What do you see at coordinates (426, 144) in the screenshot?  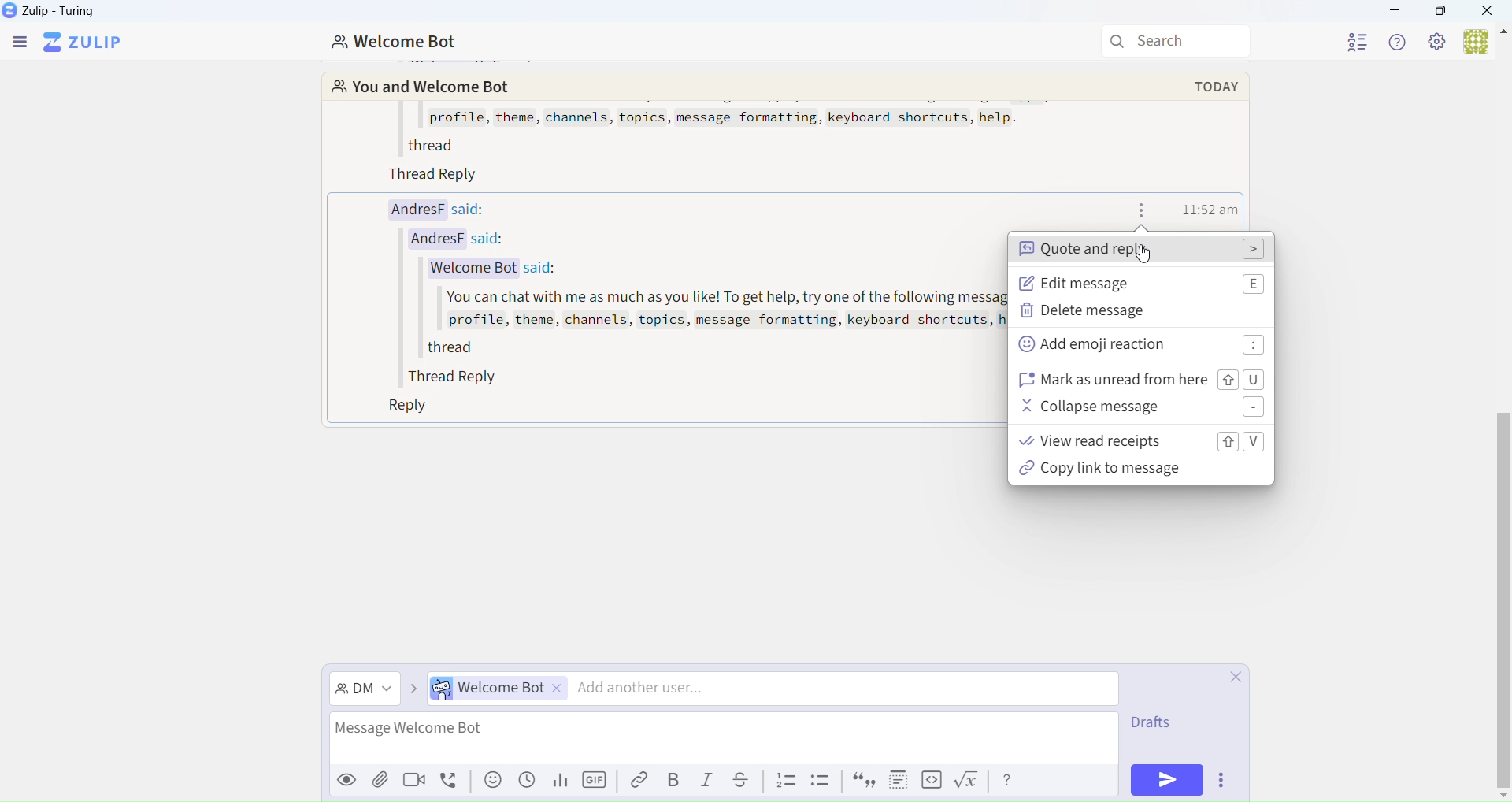 I see `thread` at bounding box center [426, 144].